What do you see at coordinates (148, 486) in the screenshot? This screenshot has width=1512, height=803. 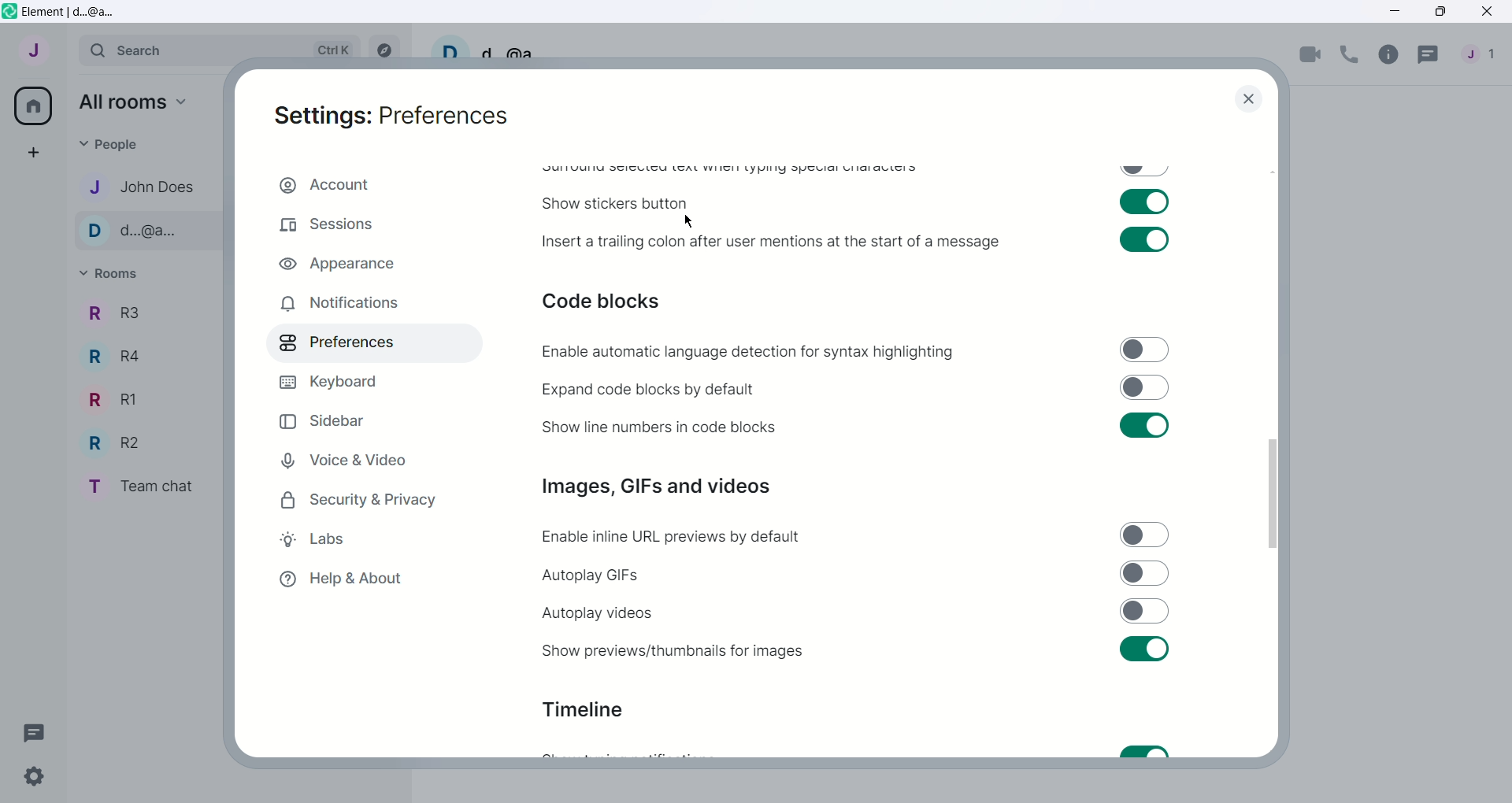 I see `Team chat - room name` at bounding box center [148, 486].